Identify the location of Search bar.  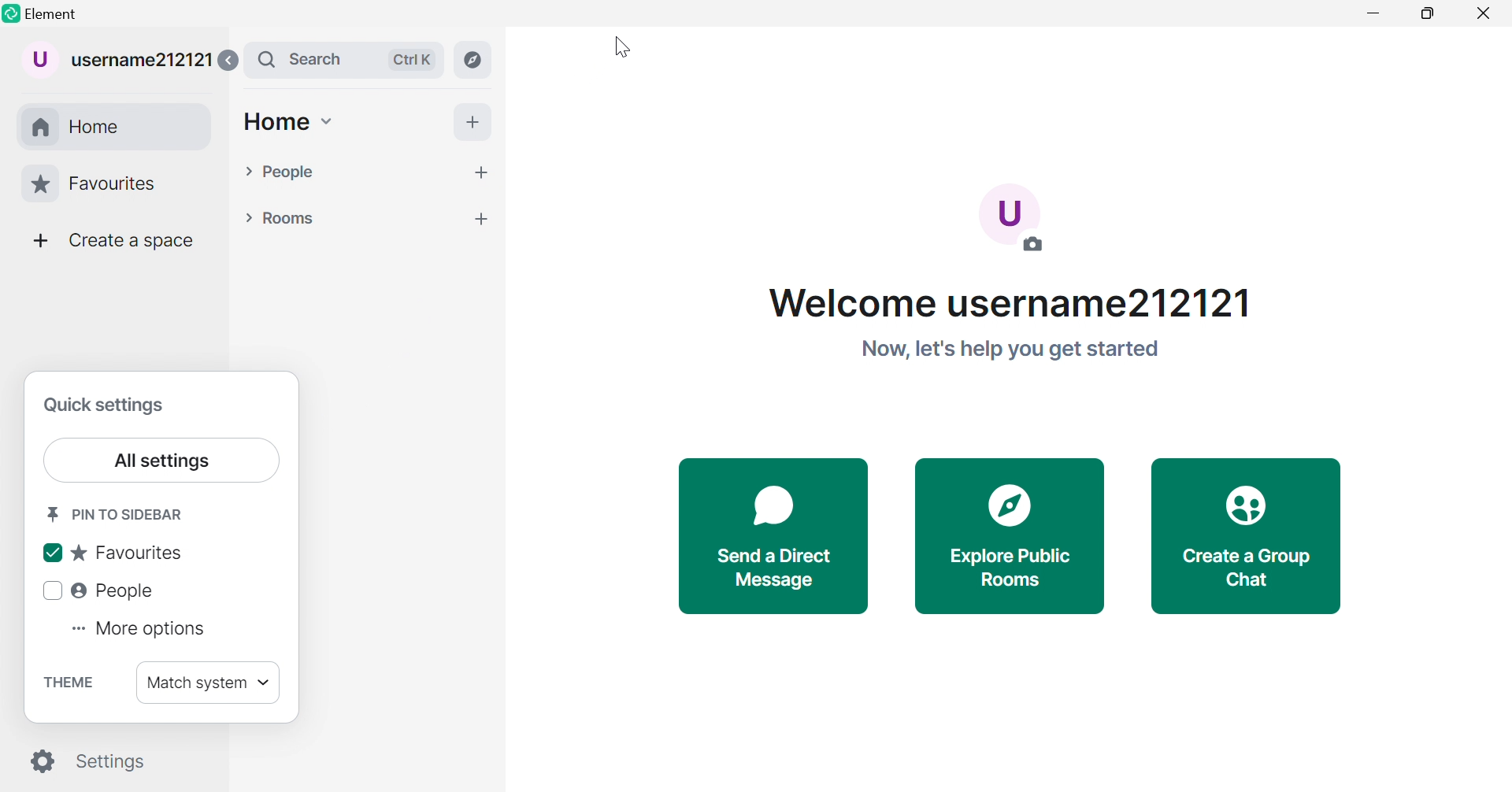
(343, 59).